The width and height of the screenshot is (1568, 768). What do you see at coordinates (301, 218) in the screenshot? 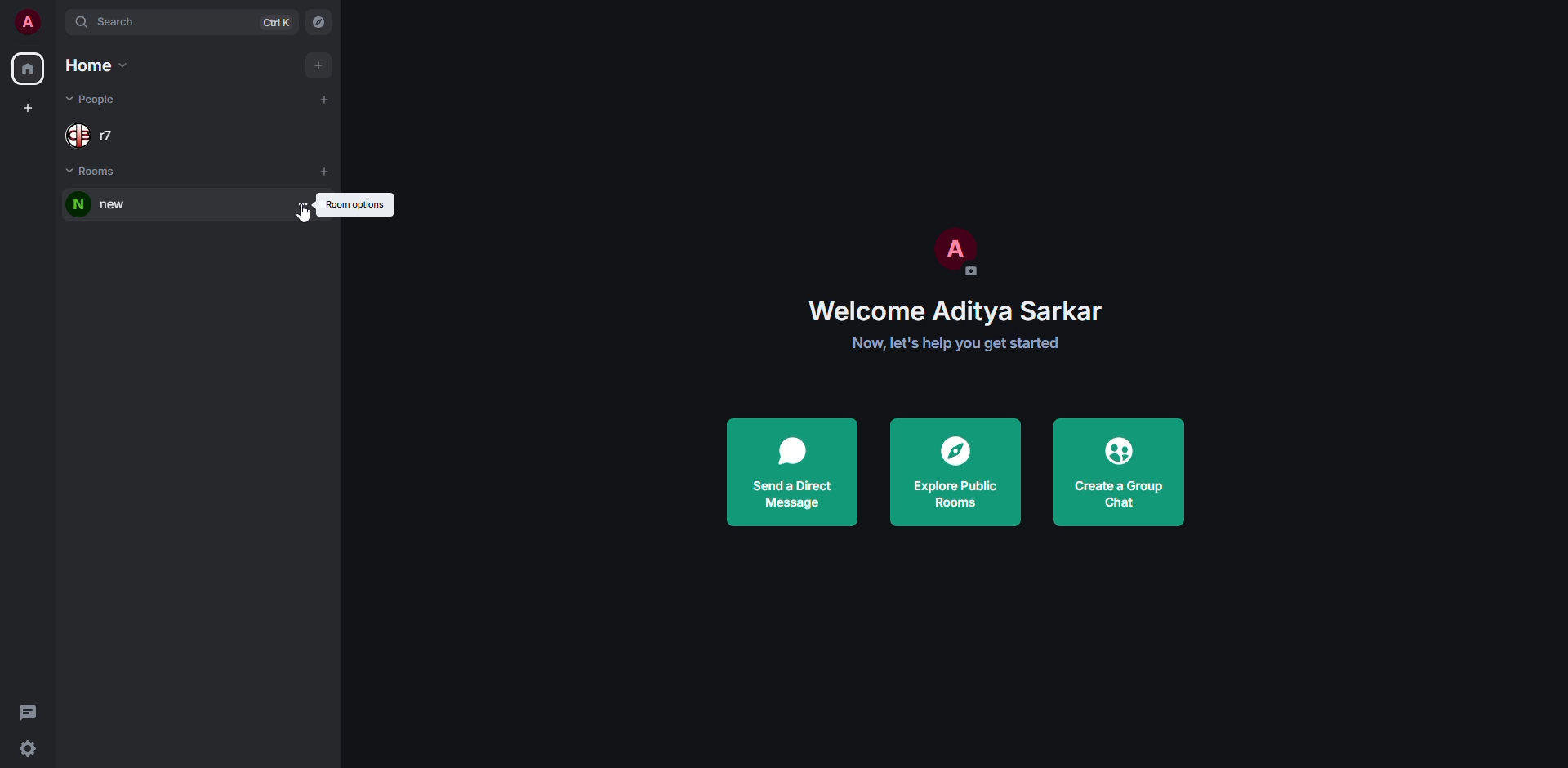
I see `cursor` at bounding box center [301, 218].